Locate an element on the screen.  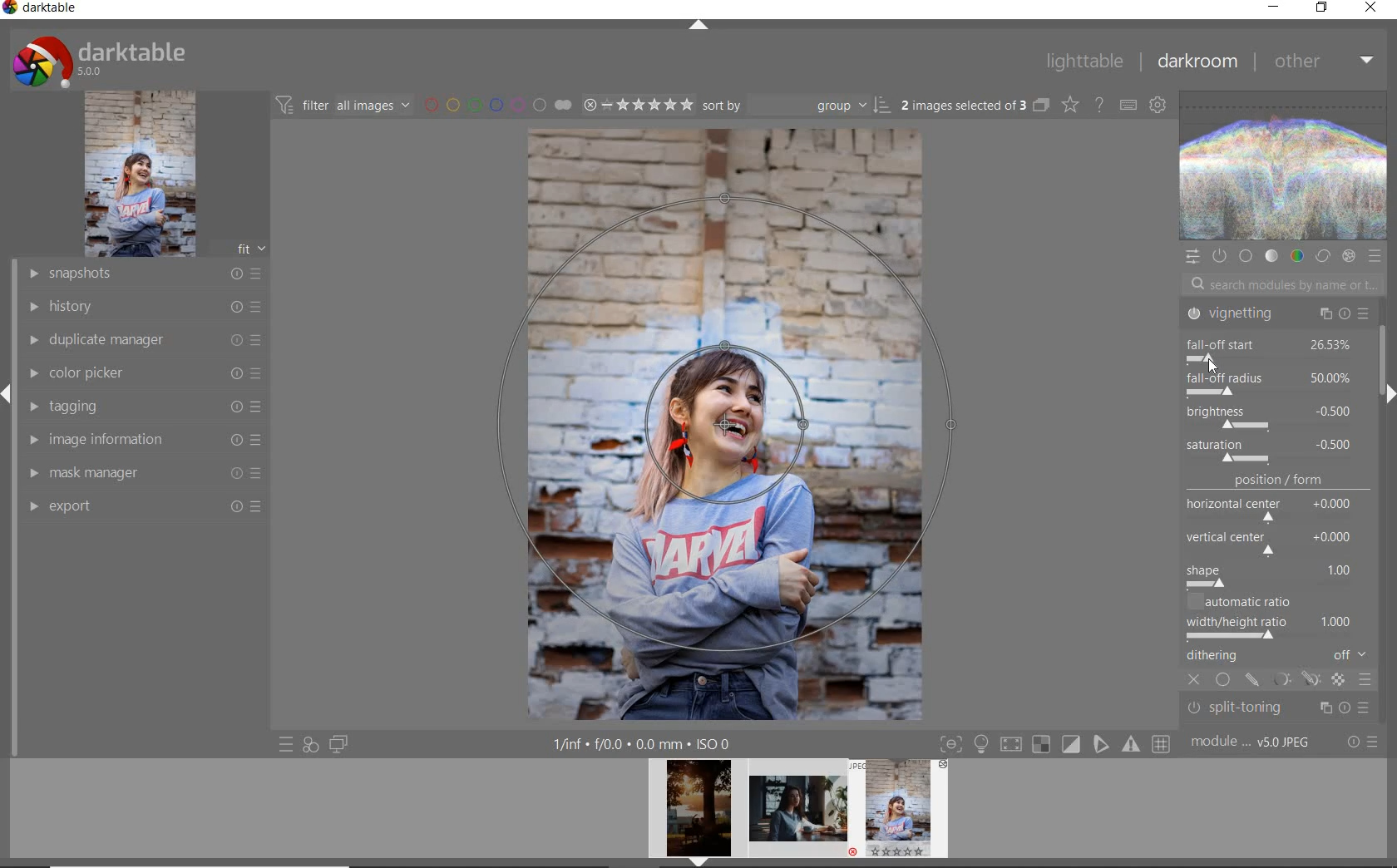
OTHER is located at coordinates (1324, 61).